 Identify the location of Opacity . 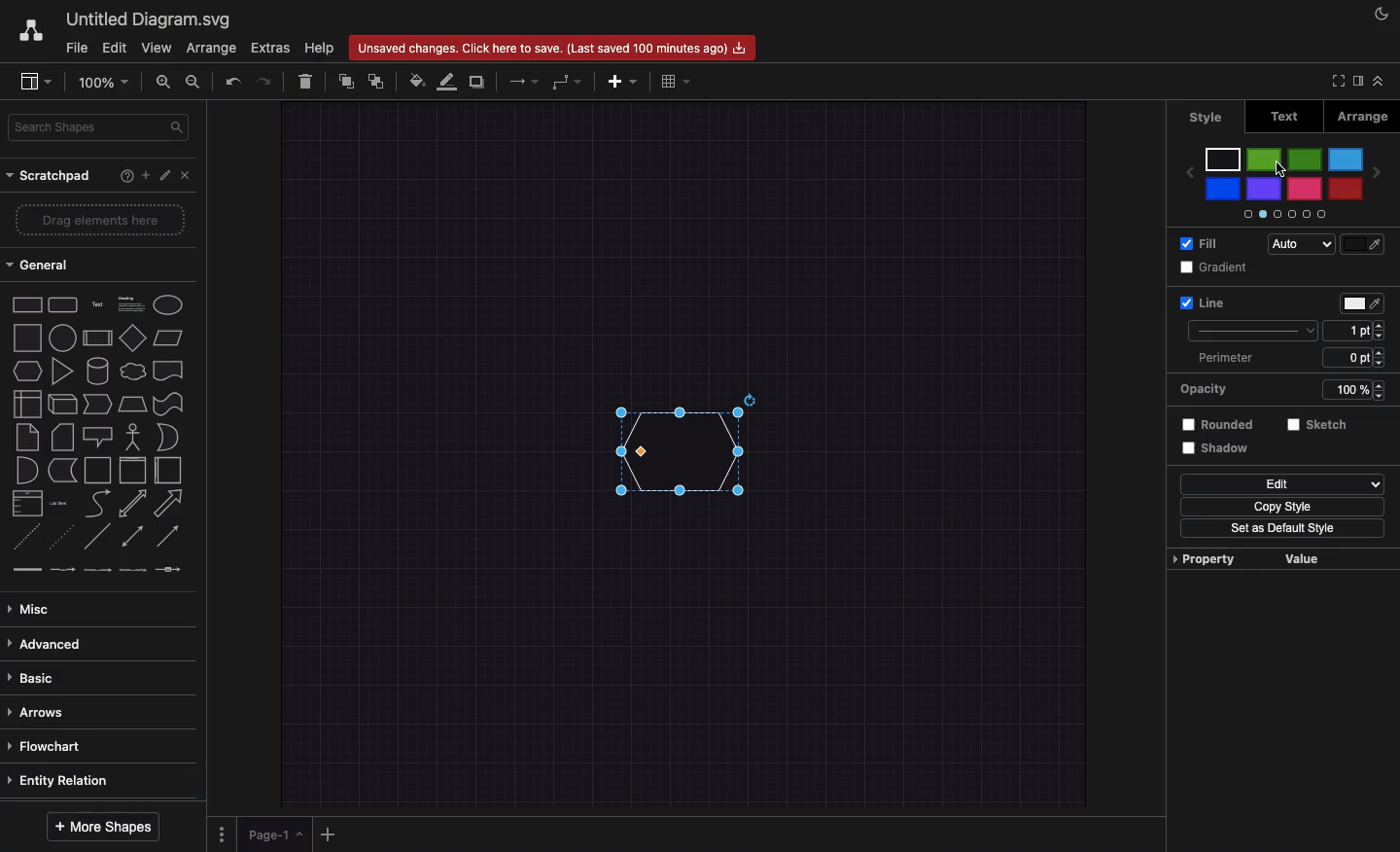
(1280, 389).